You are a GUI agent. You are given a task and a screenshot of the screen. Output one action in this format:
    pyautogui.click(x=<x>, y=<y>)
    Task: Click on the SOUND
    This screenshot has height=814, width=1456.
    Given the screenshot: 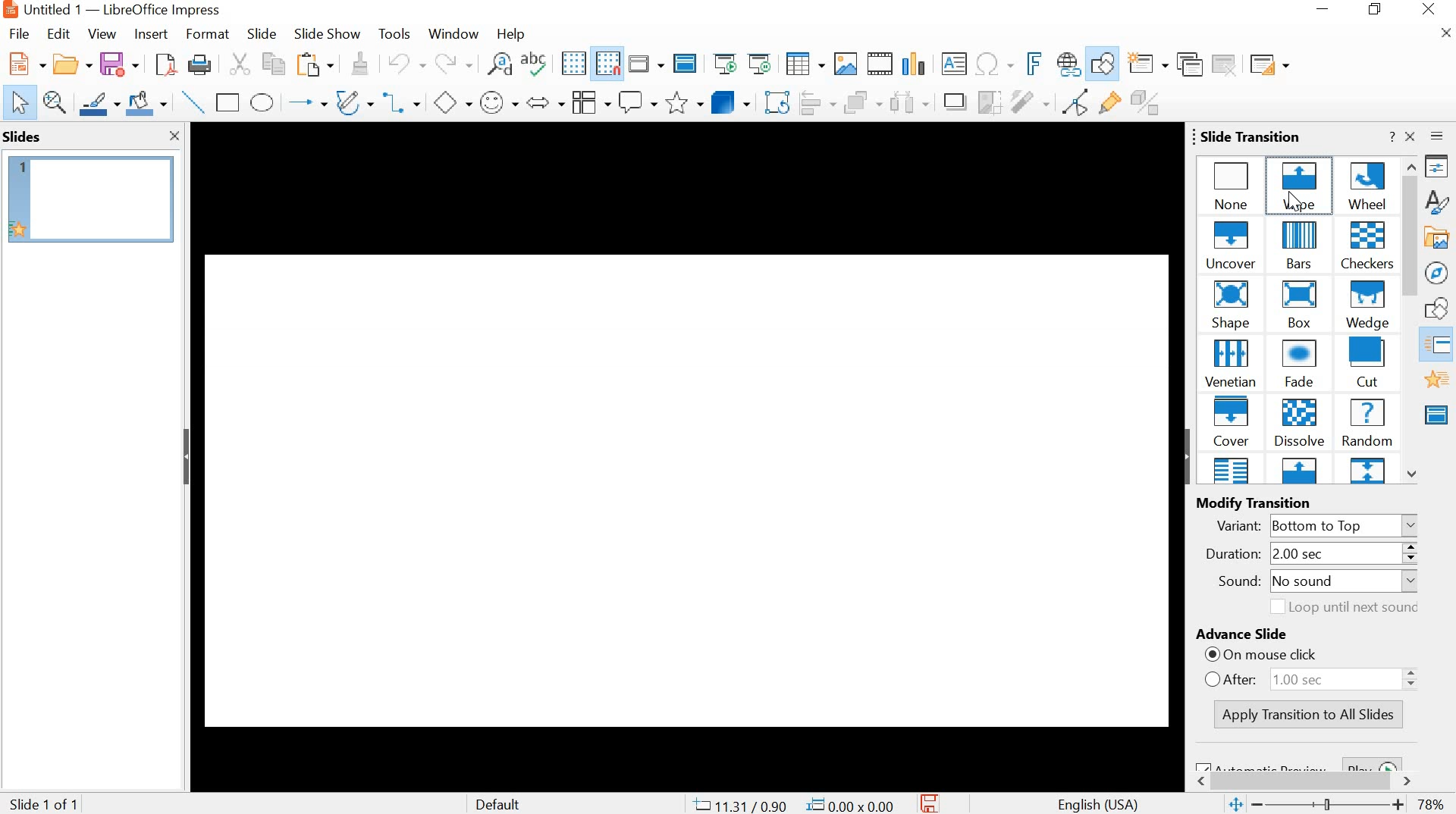 What is the action you would take?
    pyautogui.click(x=1311, y=583)
    